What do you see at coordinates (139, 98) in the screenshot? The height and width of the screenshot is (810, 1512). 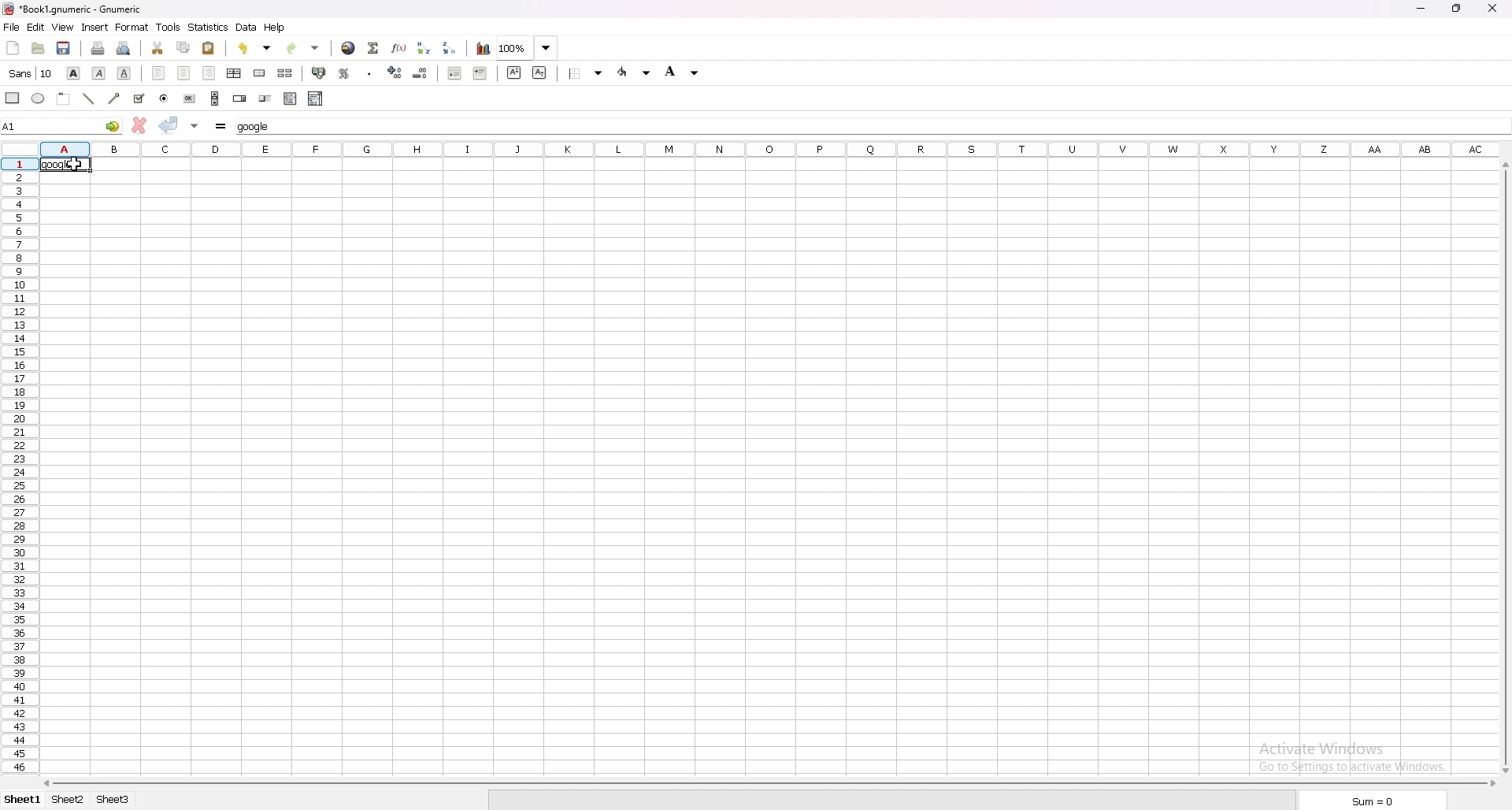 I see `tickbox` at bounding box center [139, 98].